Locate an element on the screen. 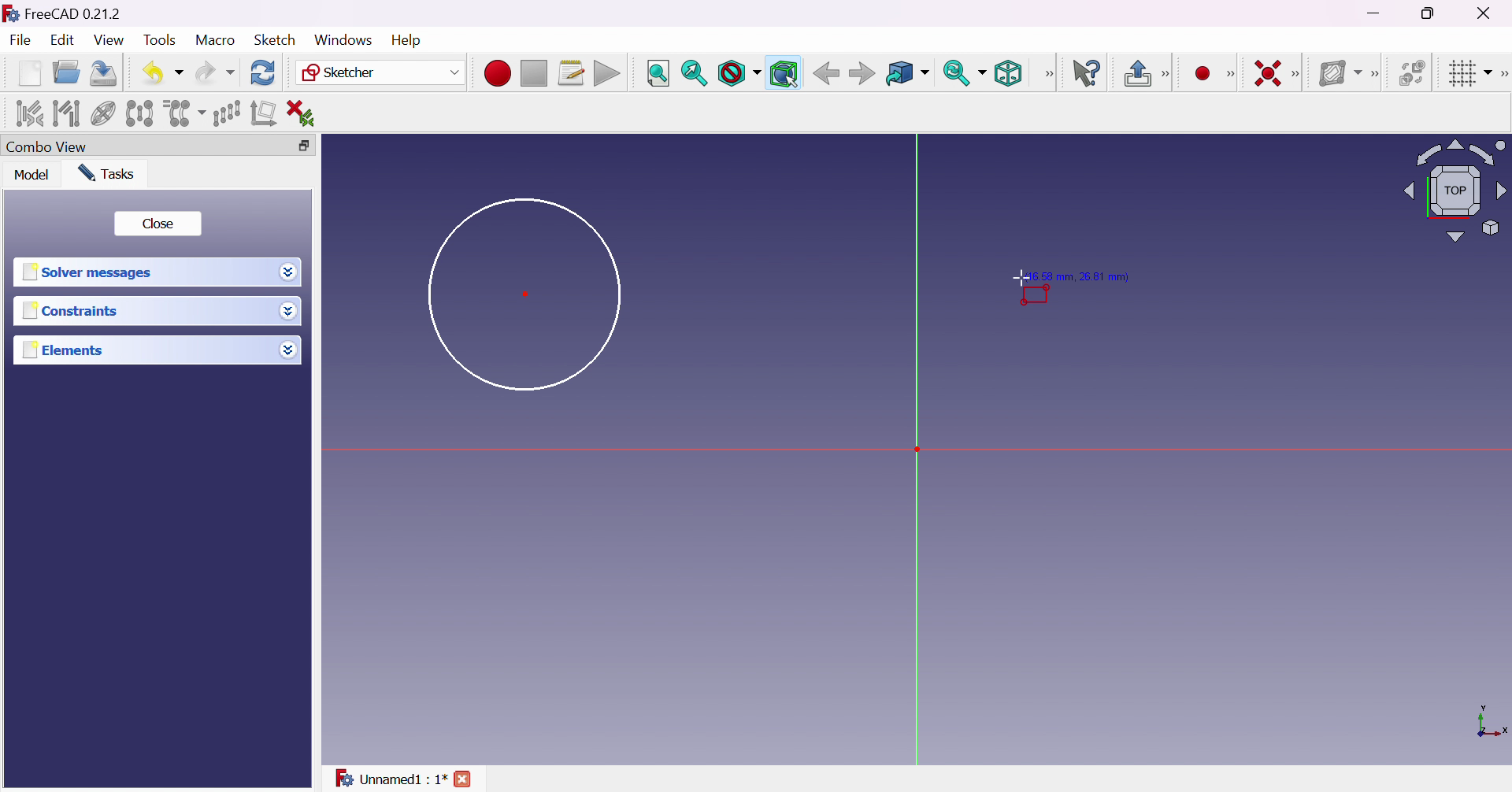 This screenshot has height=792, width=1512. Rectangular array is located at coordinates (226, 112).